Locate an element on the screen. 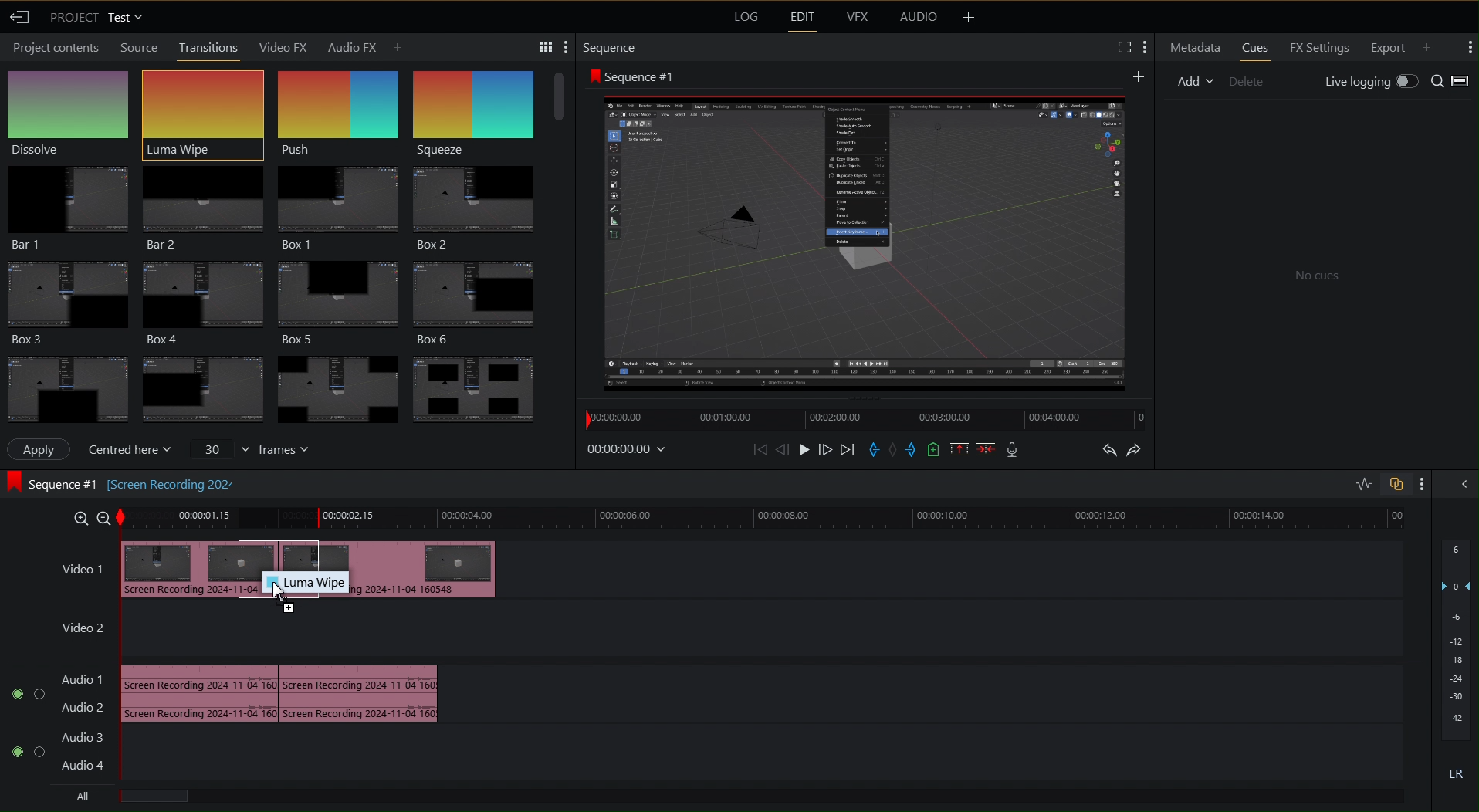 The image size is (1479, 812). Remove Marker is located at coordinates (895, 450).